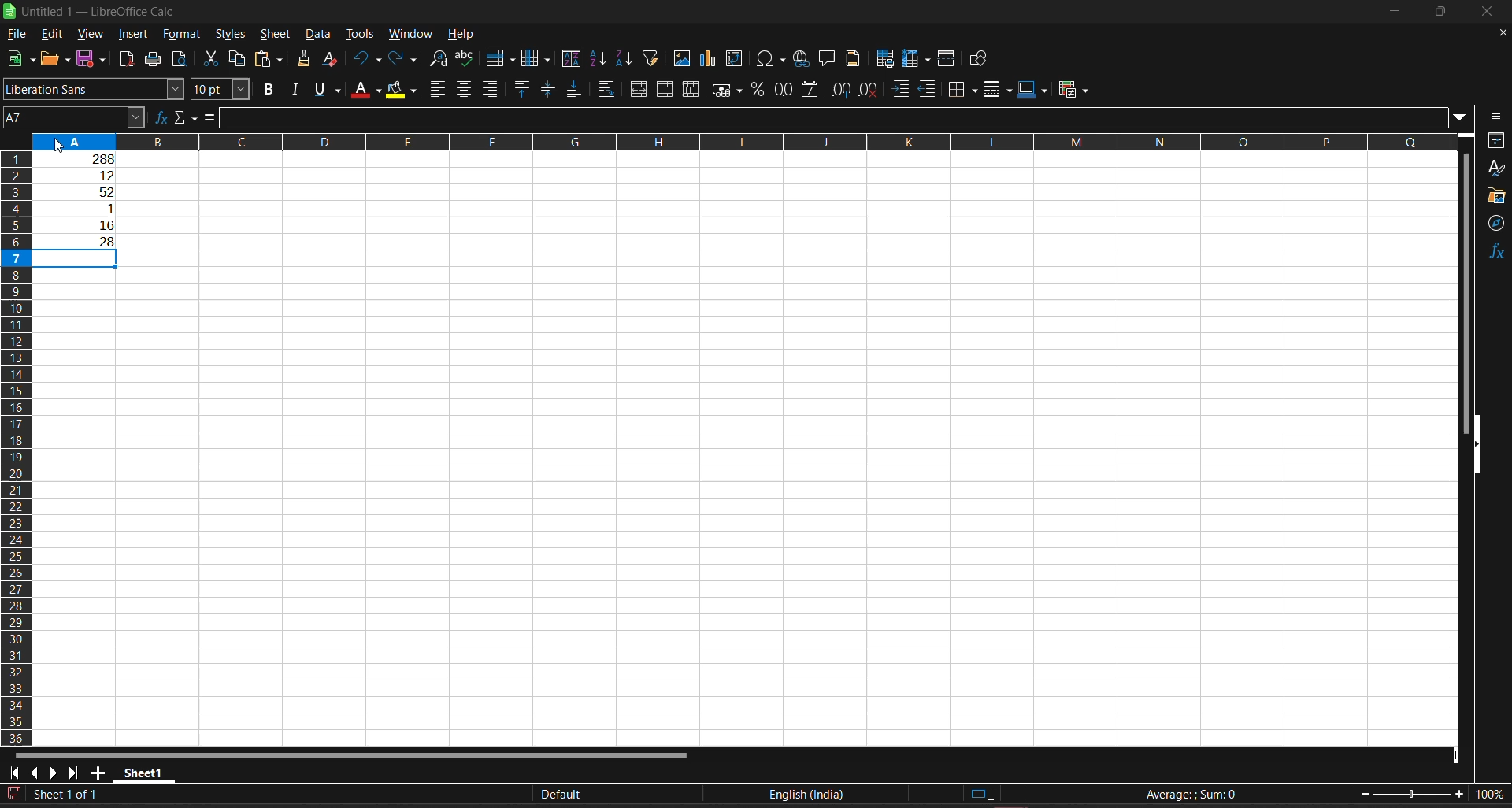 The height and width of the screenshot is (808, 1512). What do you see at coordinates (90, 35) in the screenshot?
I see `view` at bounding box center [90, 35].